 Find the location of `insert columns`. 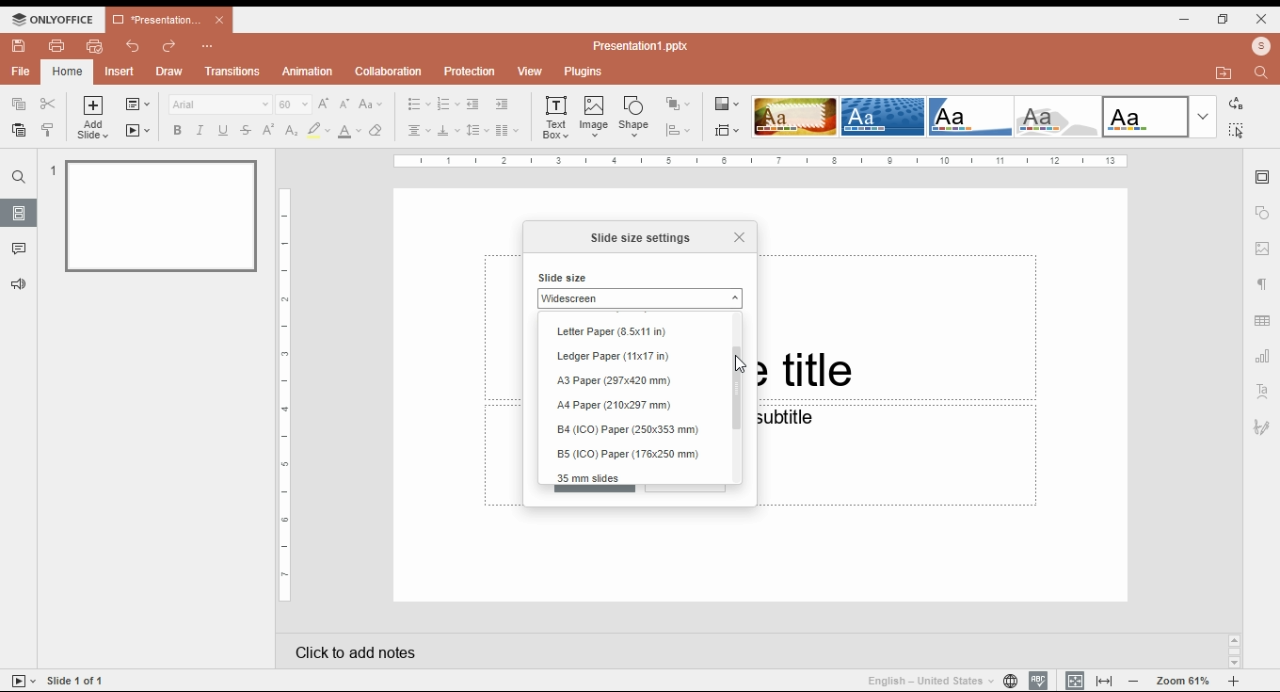

insert columns is located at coordinates (507, 132).